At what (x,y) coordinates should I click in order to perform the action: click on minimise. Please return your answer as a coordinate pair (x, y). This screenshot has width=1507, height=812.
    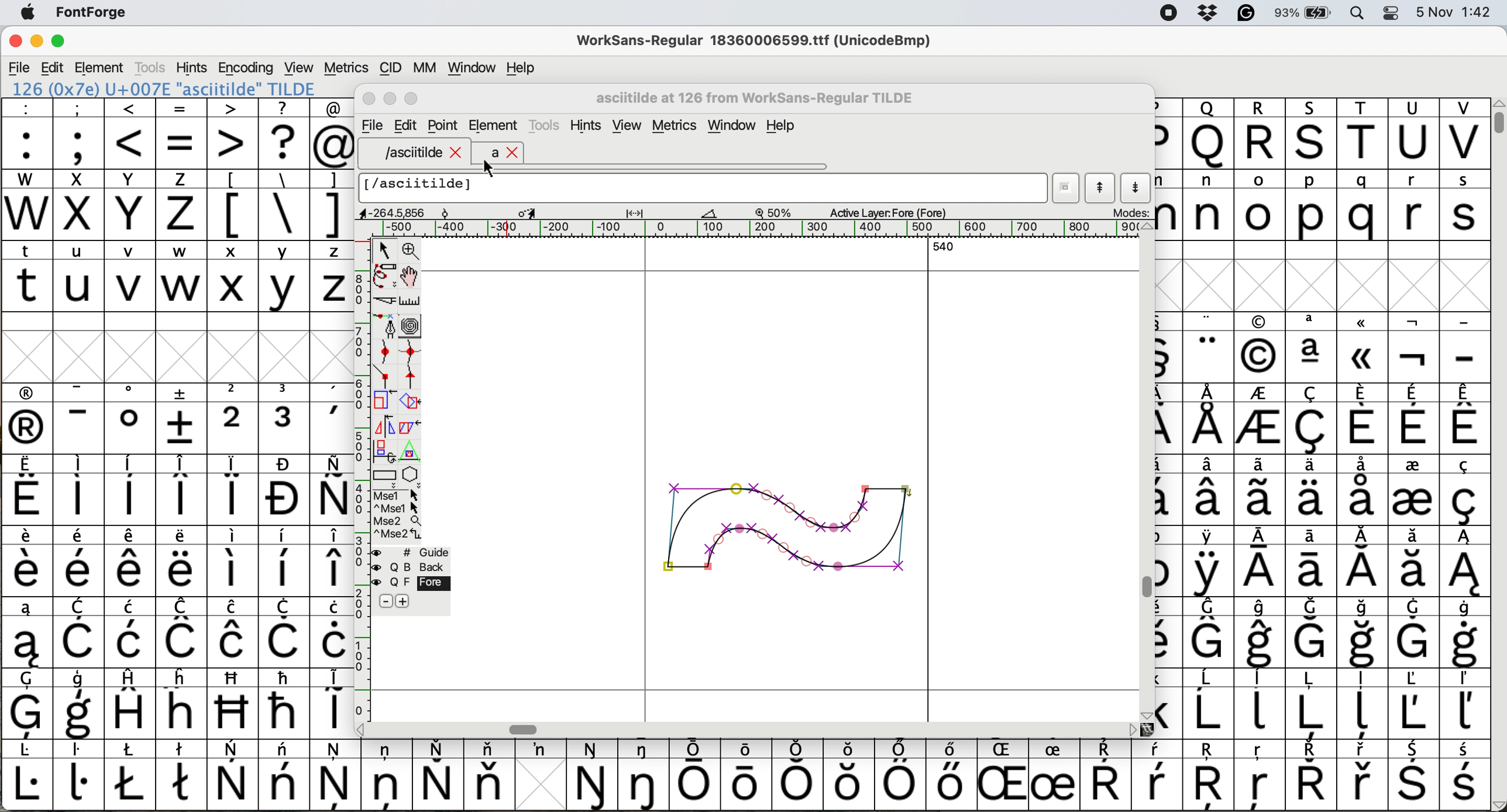
    Looking at the image, I should click on (35, 42).